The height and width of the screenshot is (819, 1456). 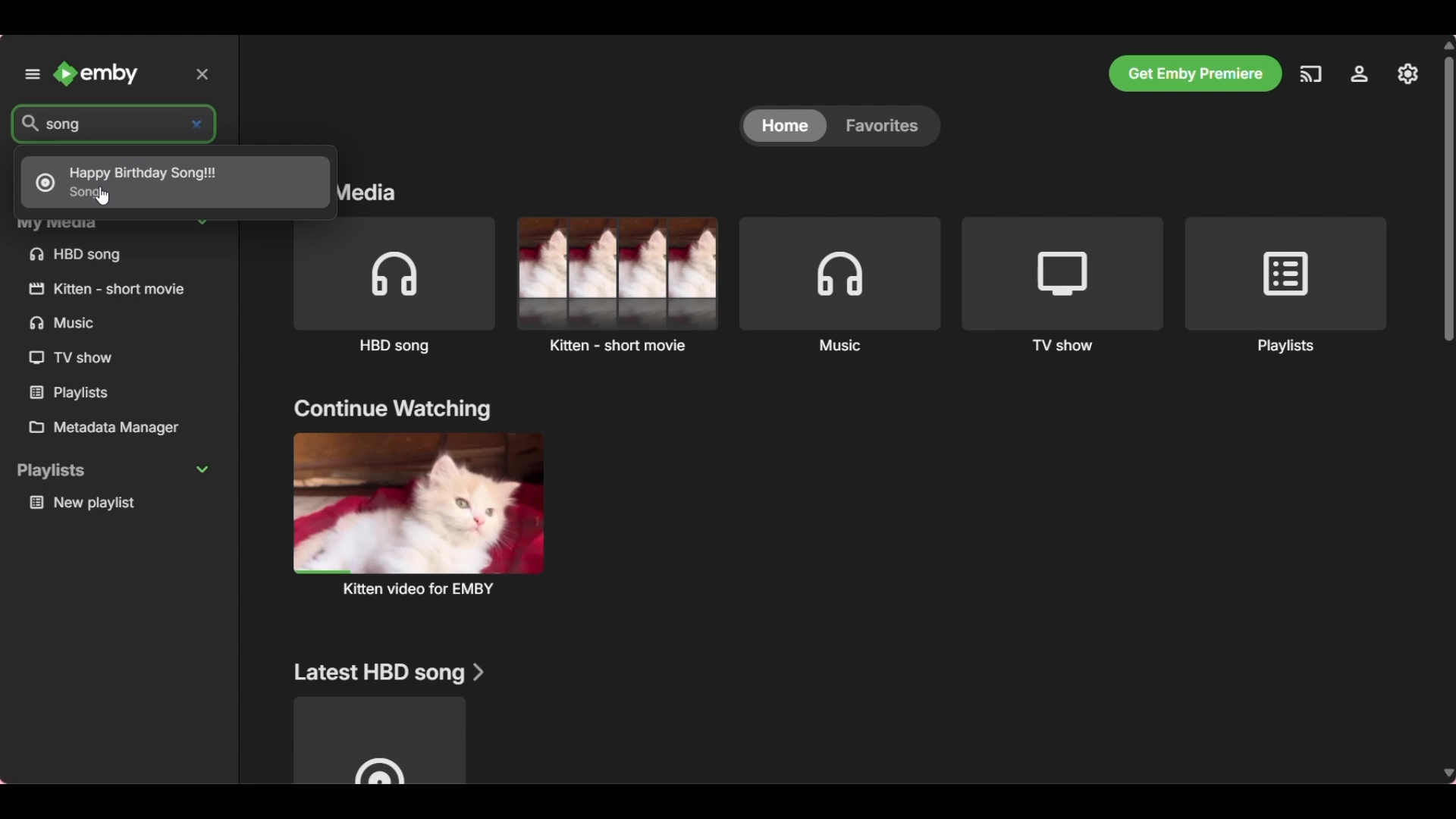 I want to click on Settings, so click(x=1409, y=74).